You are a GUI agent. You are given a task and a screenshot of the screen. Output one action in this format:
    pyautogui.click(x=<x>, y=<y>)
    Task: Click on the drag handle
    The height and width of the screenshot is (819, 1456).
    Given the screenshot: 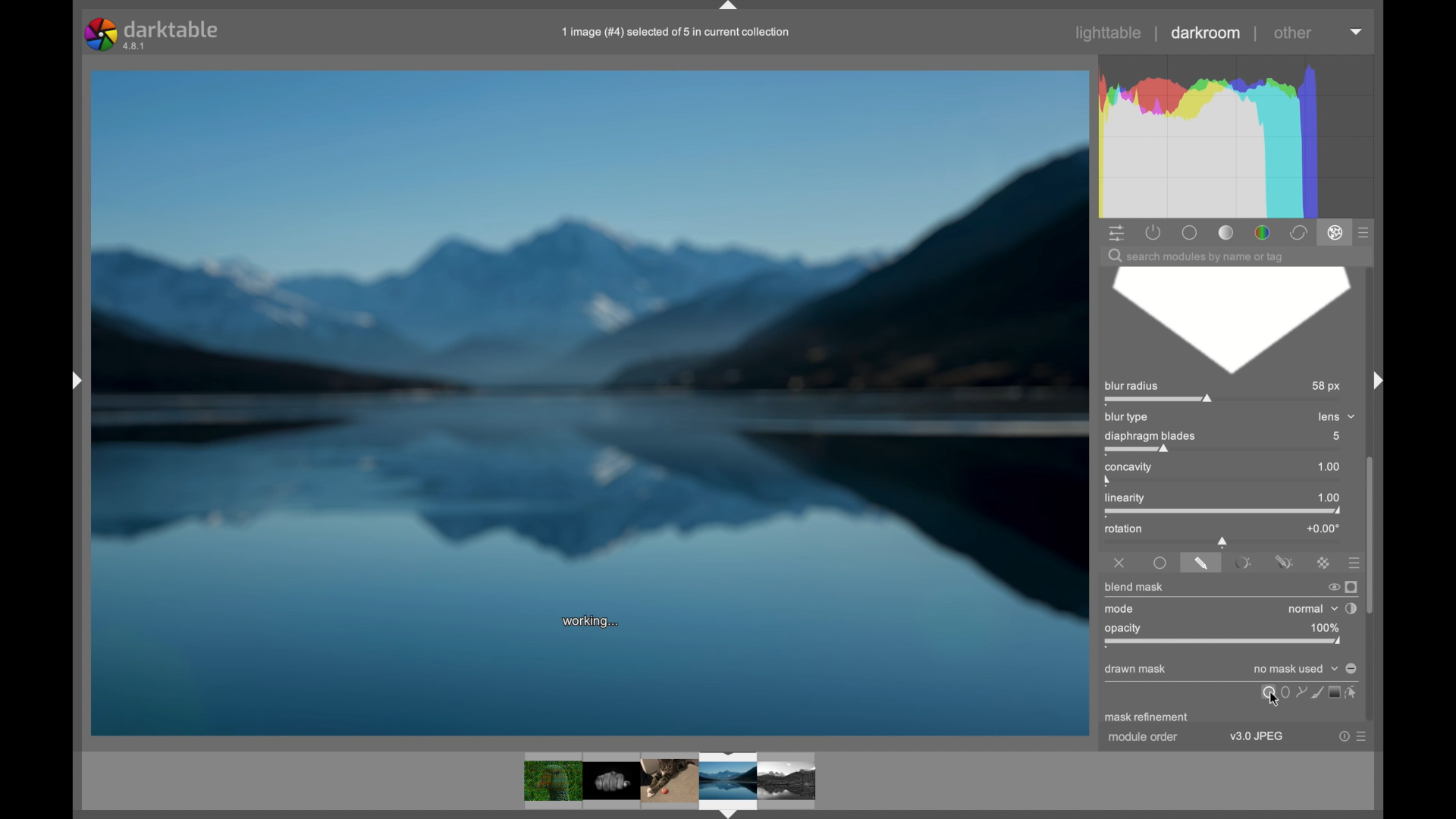 What is the action you would take?
    pyautogui.click(x=730, y=7)
    